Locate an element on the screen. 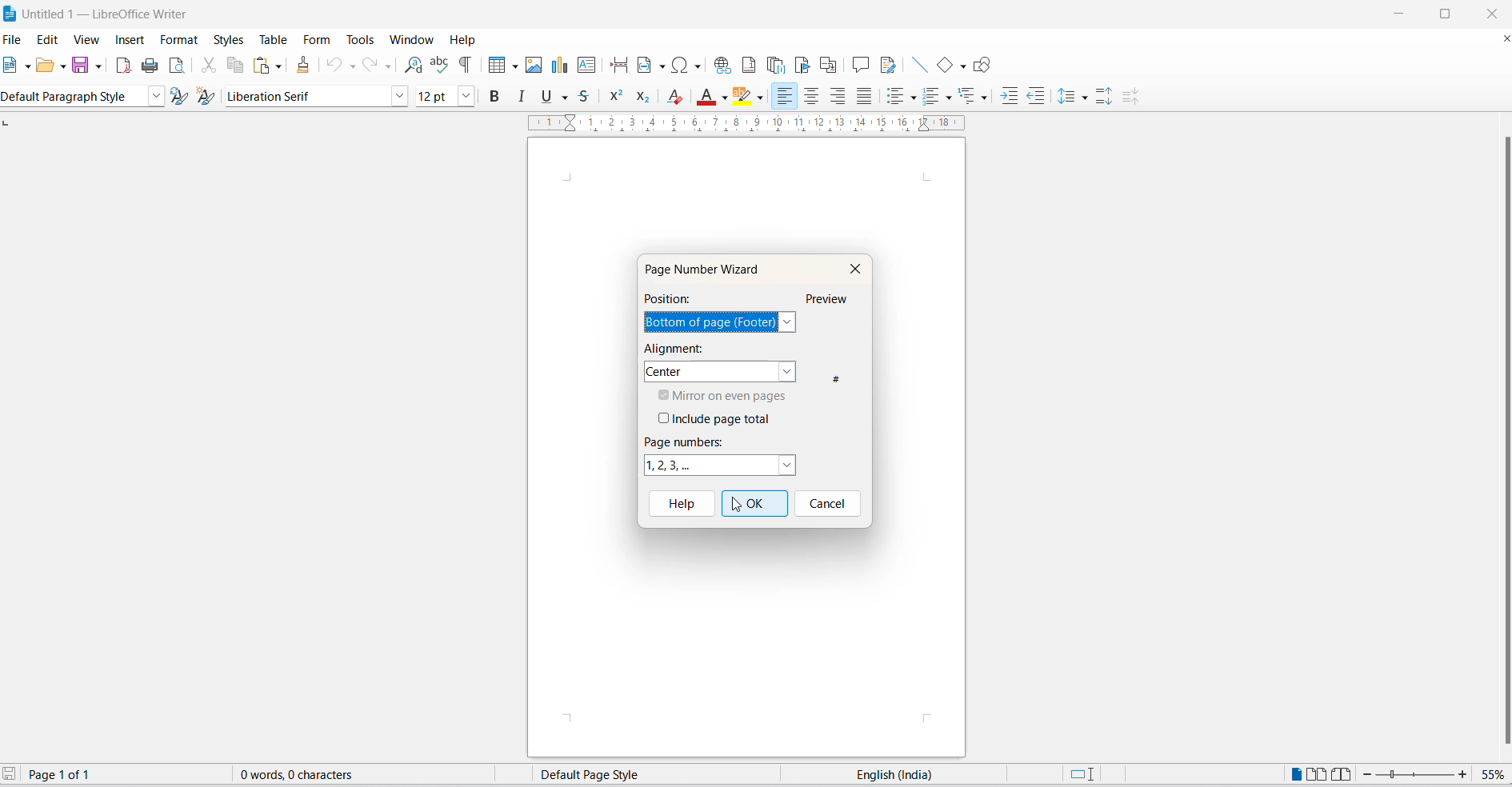 This screenshot has width=1512, height=787. font name is located at coordinates (306, 98).